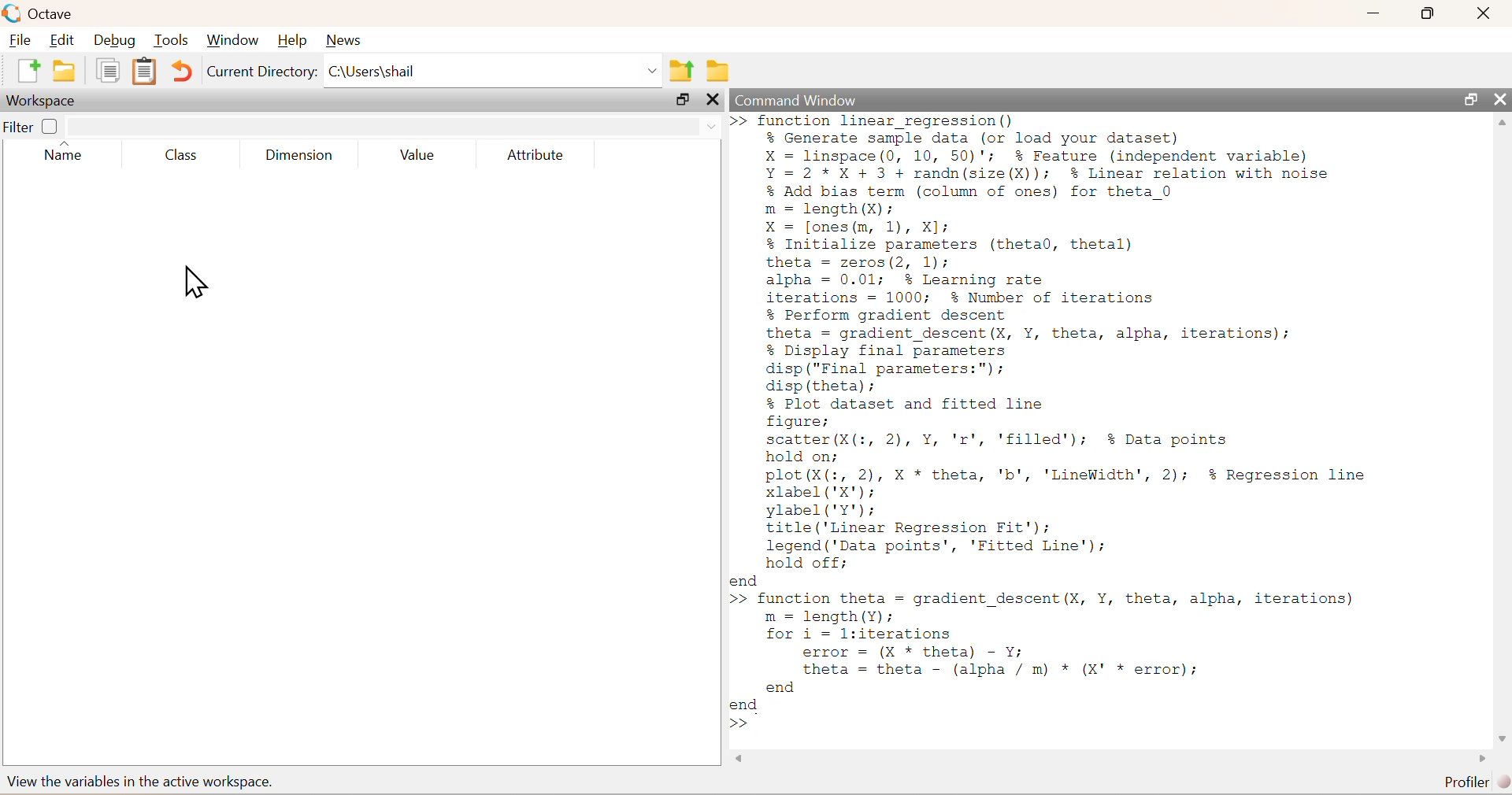 This screenshot has height=795, width=1512. Describe the element at coordinates (28, 72) in the screenshot. I see `new document` at that location.